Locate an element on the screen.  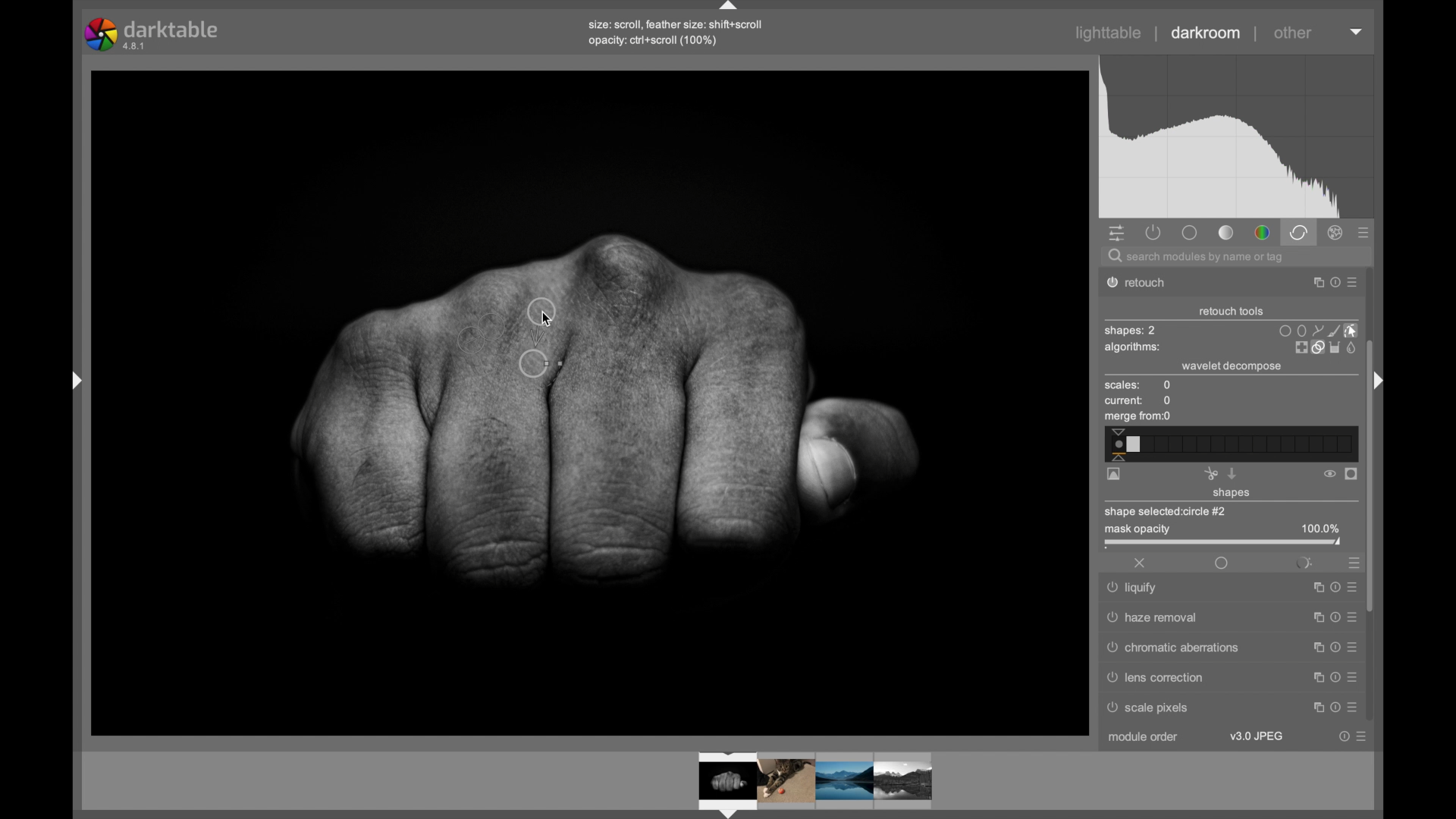
maximize is located at coordinates (1312, 283).